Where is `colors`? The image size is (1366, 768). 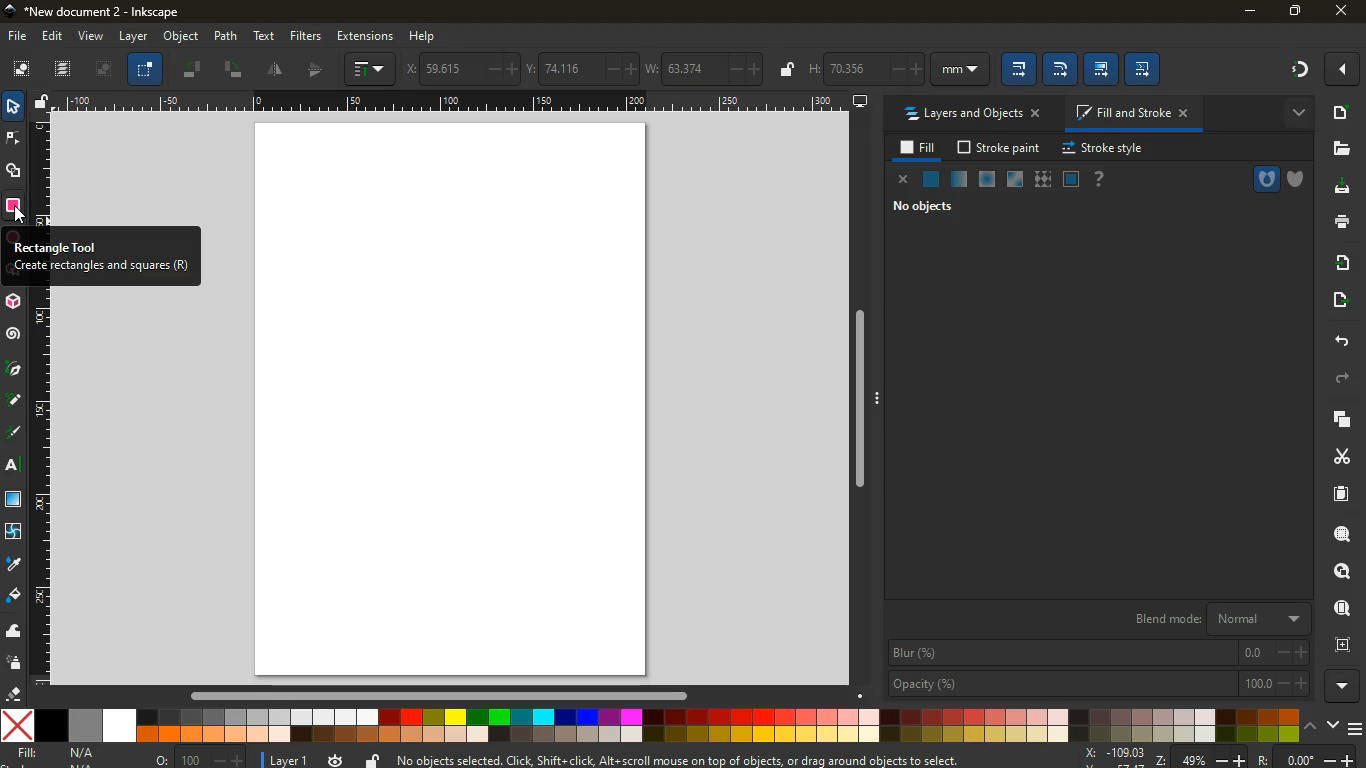
colors is located at coordinates (649, 726).